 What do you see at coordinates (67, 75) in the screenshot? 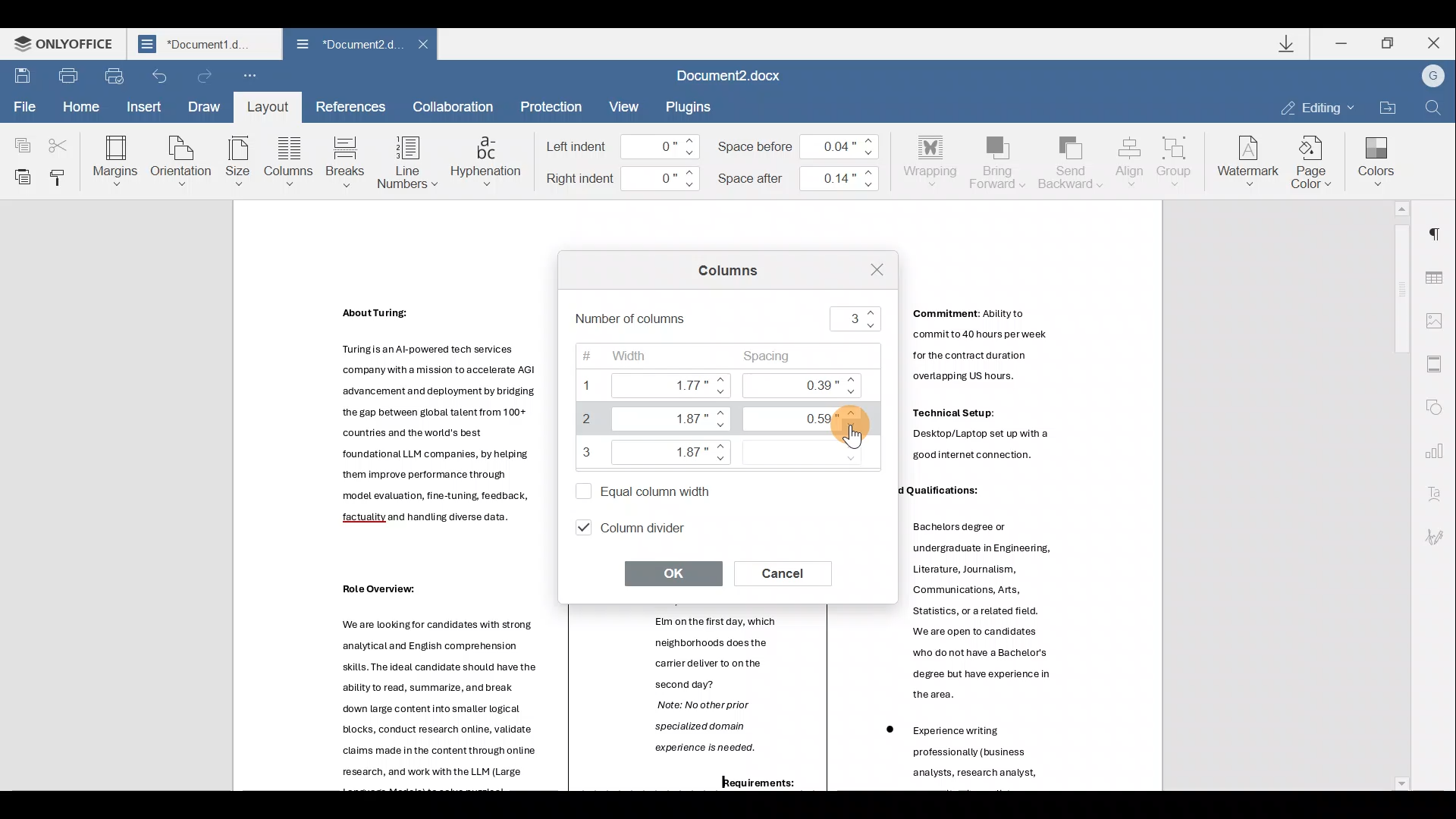
I see `Print file` at bounding box center [67, 75].